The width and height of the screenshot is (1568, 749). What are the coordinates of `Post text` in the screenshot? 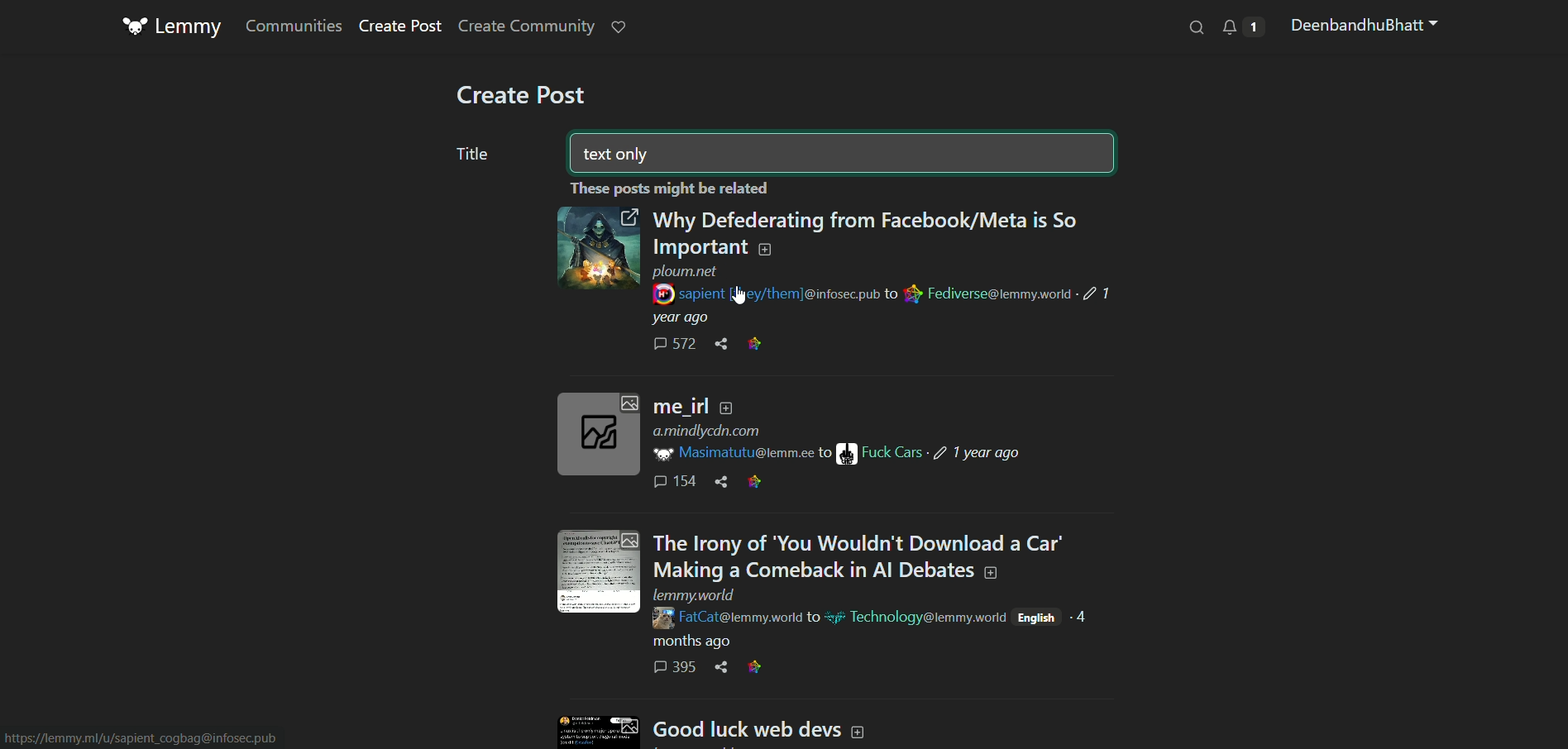 It's located at (681, 407).